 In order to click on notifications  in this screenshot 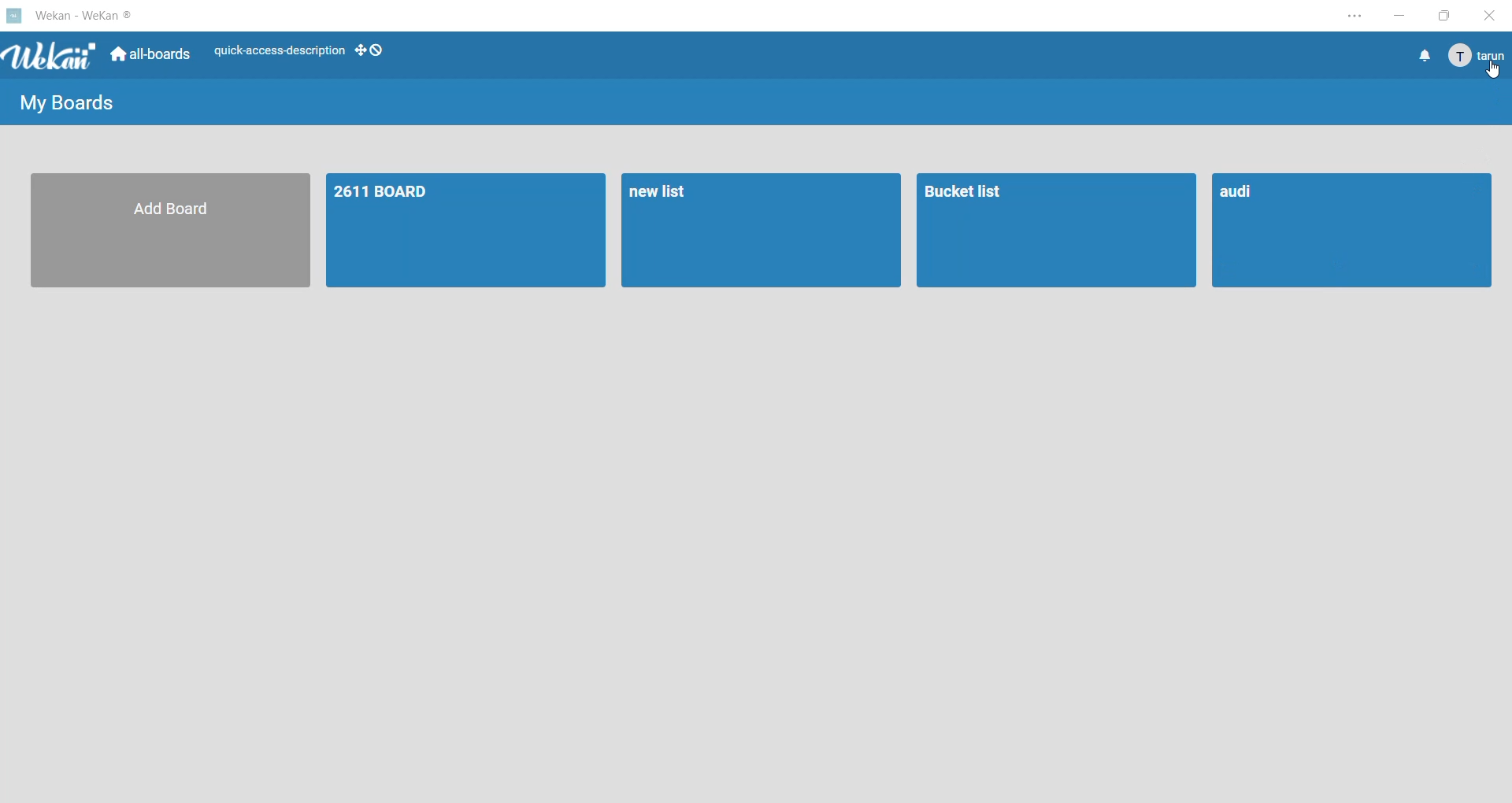, I will do `click(1423, 57)`.